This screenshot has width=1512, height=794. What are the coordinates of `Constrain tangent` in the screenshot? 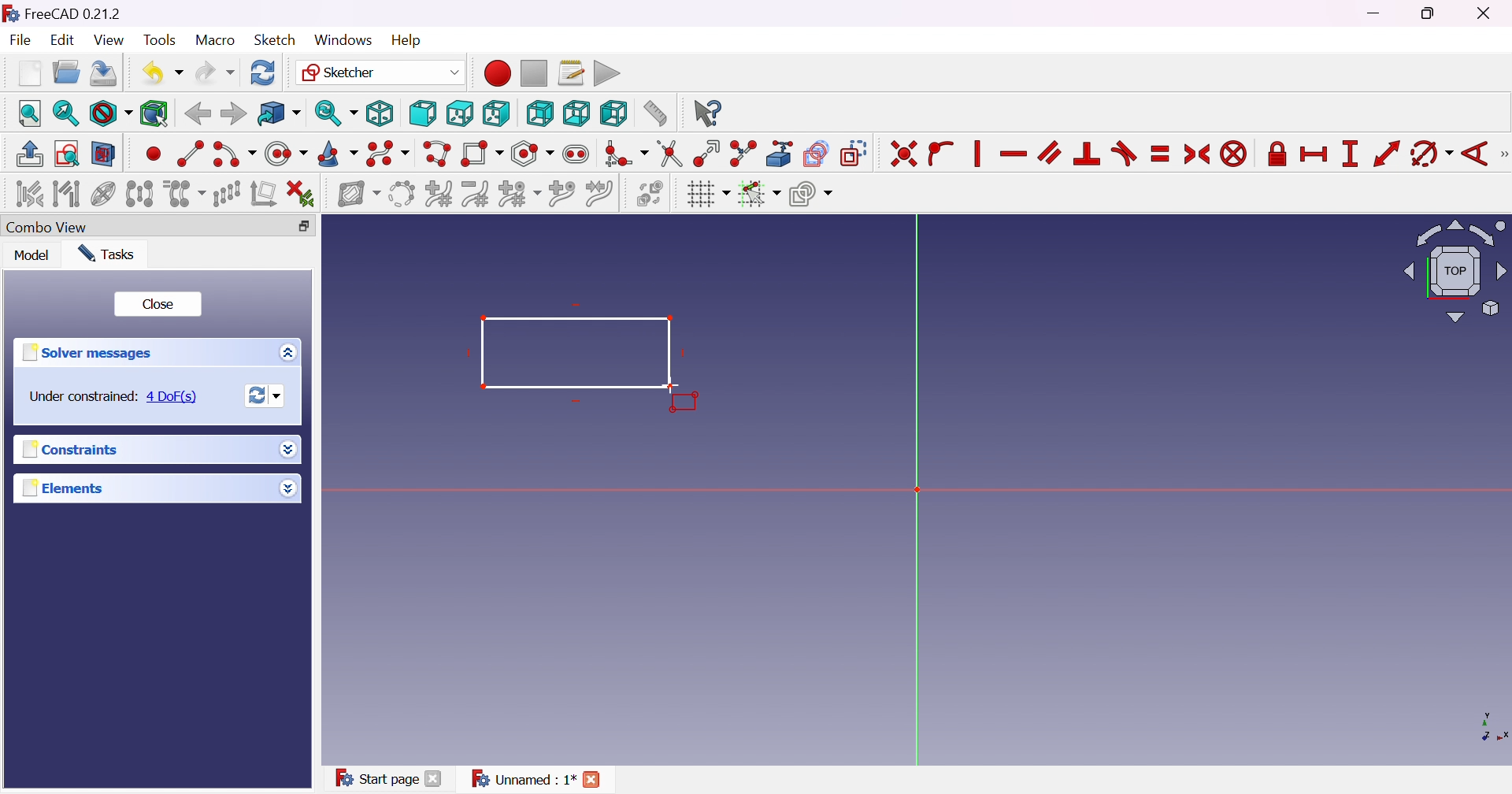 It's located at (1124, 154).